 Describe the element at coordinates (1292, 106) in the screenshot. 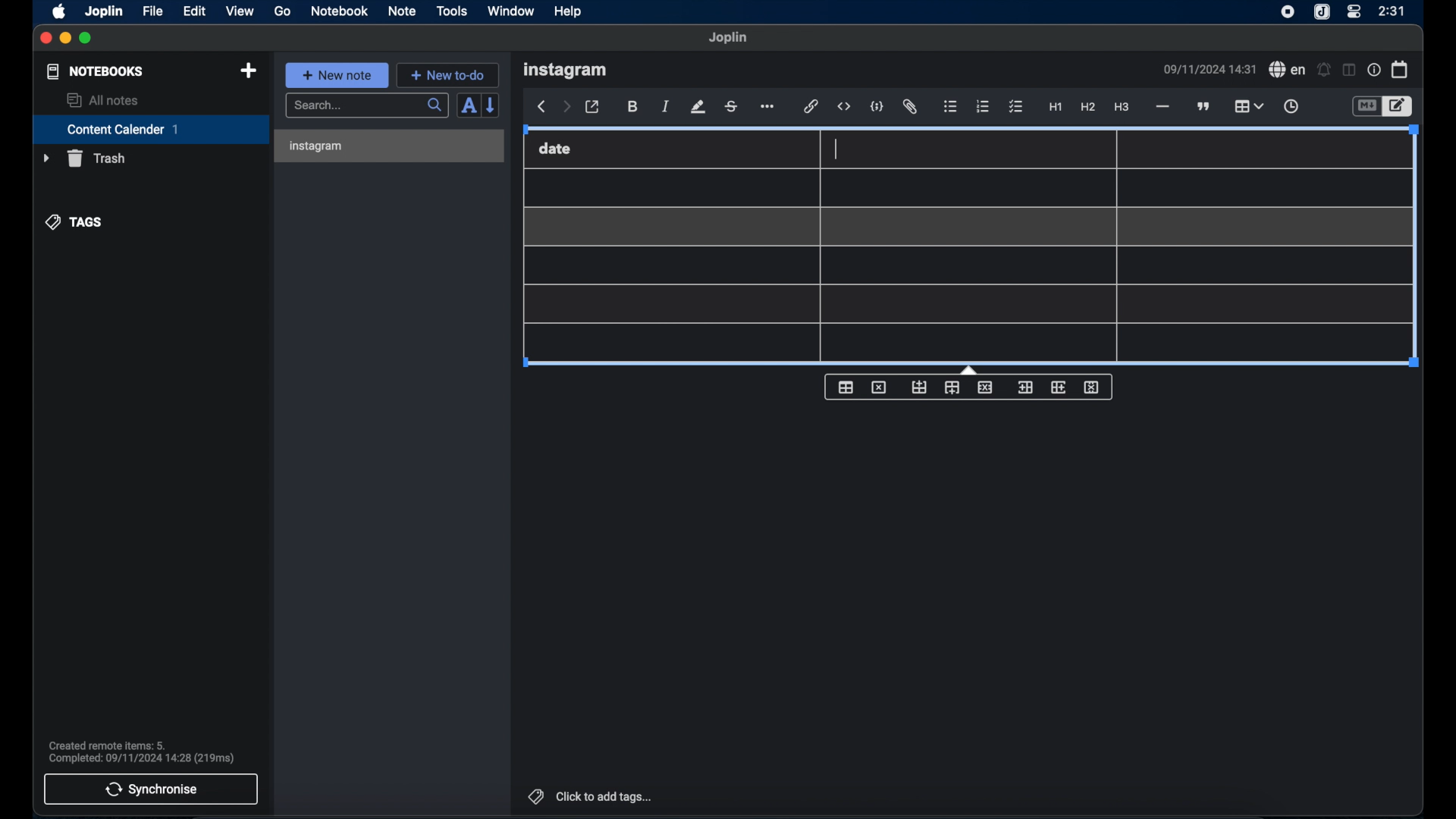

I see `insert time` at that location.